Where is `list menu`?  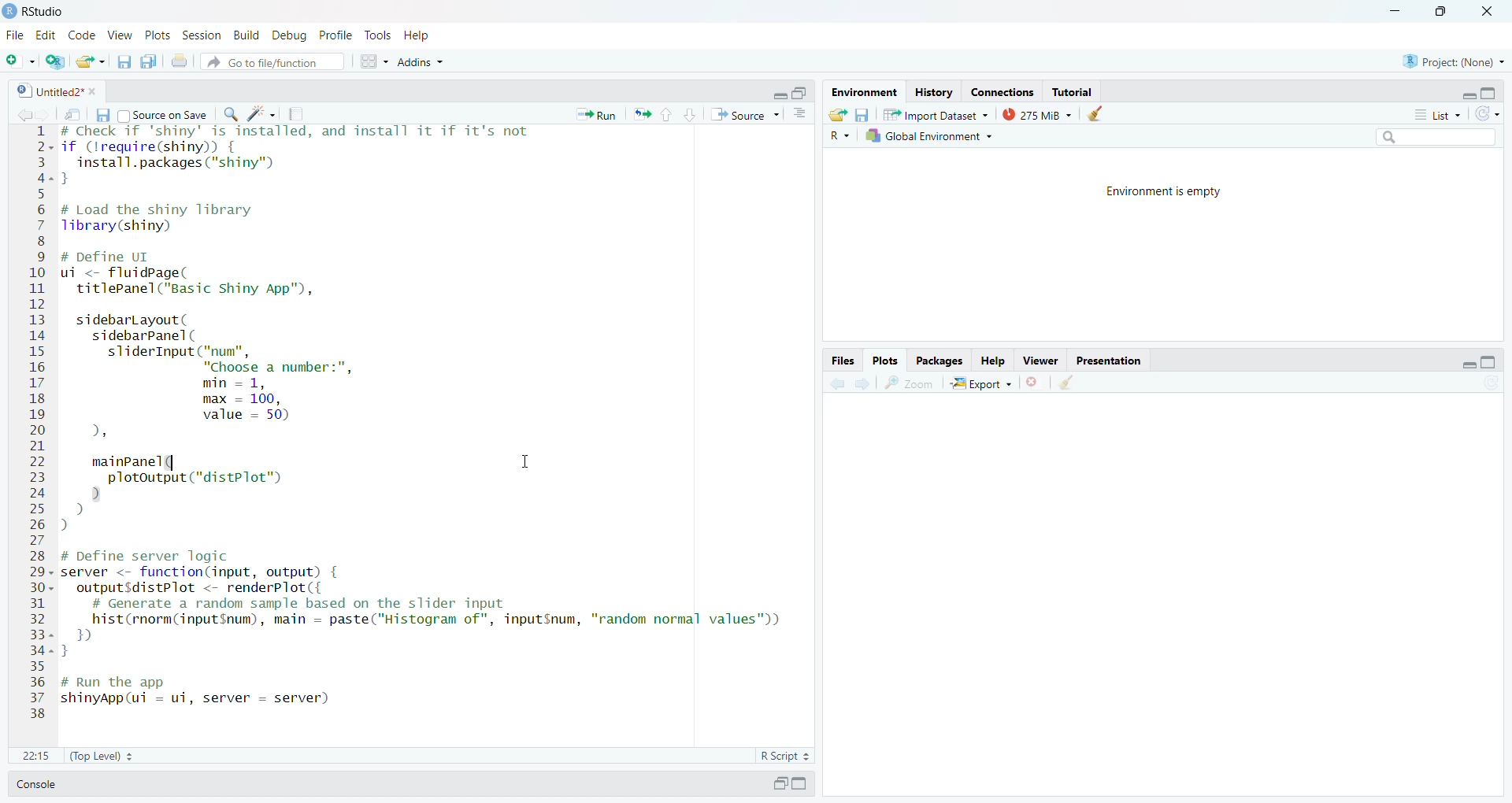 list menu is located at coordinates (1439, 114).